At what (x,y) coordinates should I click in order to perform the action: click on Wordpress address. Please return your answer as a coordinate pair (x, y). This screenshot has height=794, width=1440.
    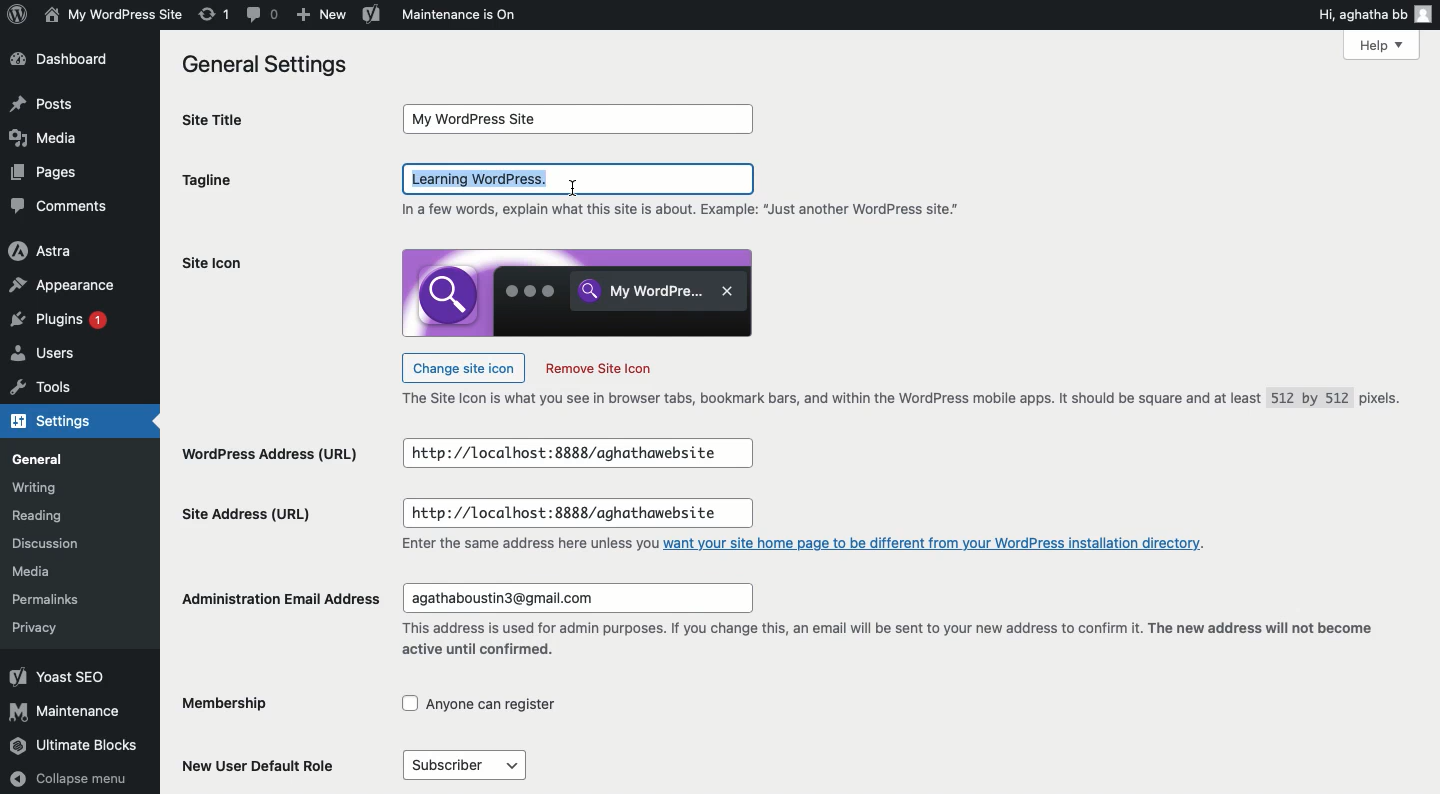
    Looking at the image, I should click on (268, 456).